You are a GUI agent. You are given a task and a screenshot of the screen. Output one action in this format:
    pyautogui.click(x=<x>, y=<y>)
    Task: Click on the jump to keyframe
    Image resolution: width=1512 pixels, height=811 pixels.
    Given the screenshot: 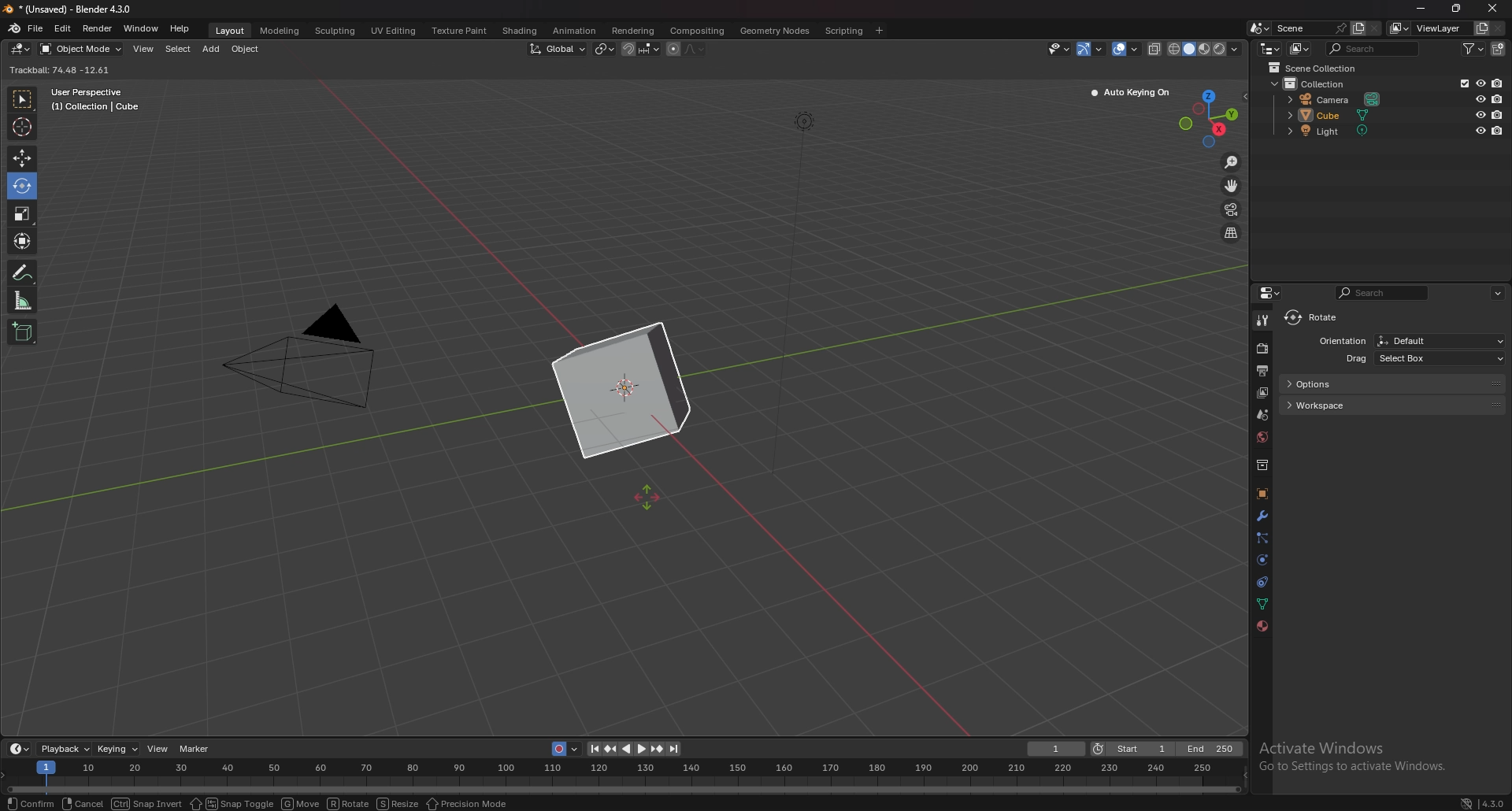 What is the action you would take?
    pyautogui.click(x=613, y=747)
    